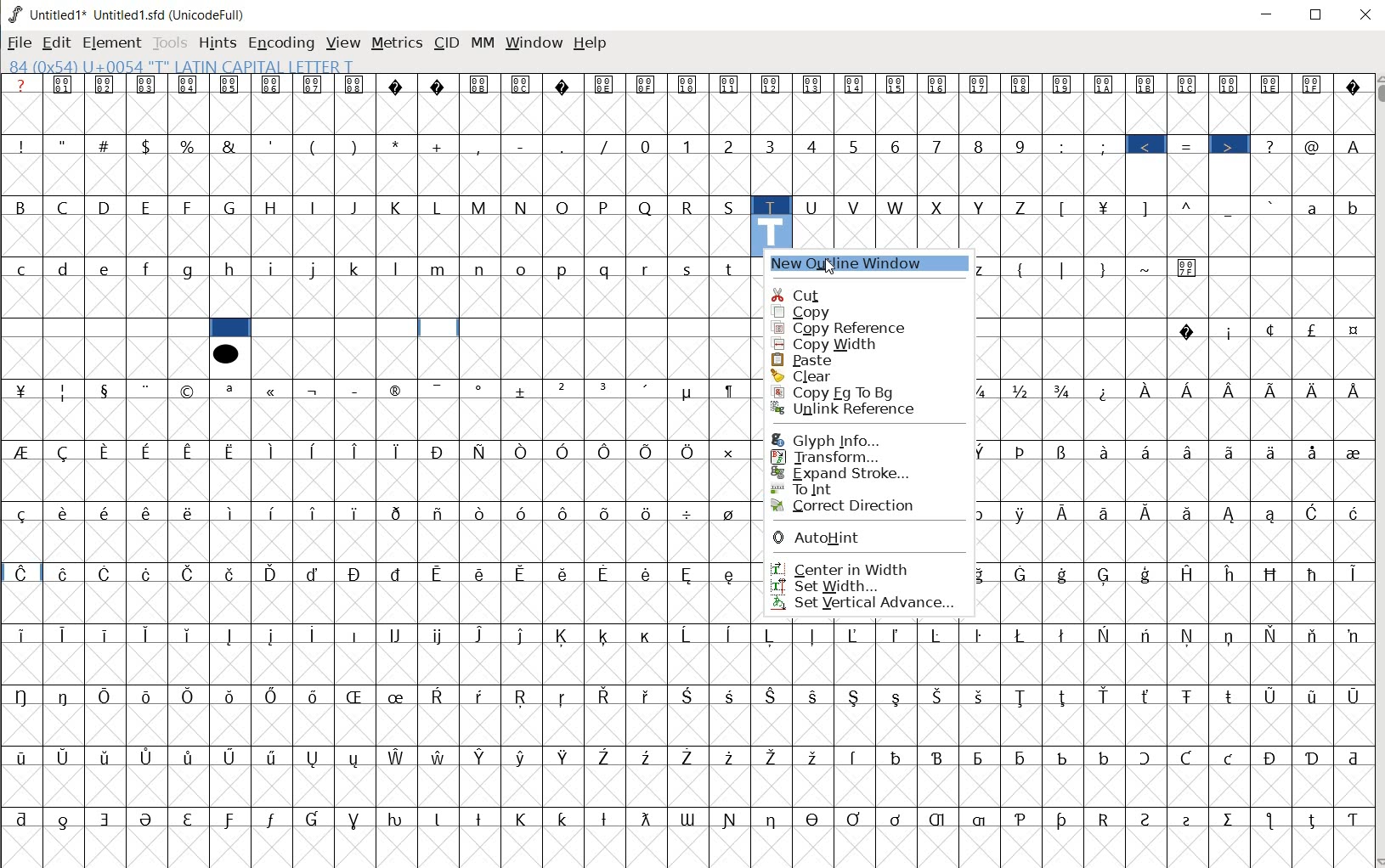 Image resolution: width=1385 pixels, height=868 pixels. What do you see at coordinates (897, 697) in the screenshot?
I see `Symbol` at bounding box center [897, 697].